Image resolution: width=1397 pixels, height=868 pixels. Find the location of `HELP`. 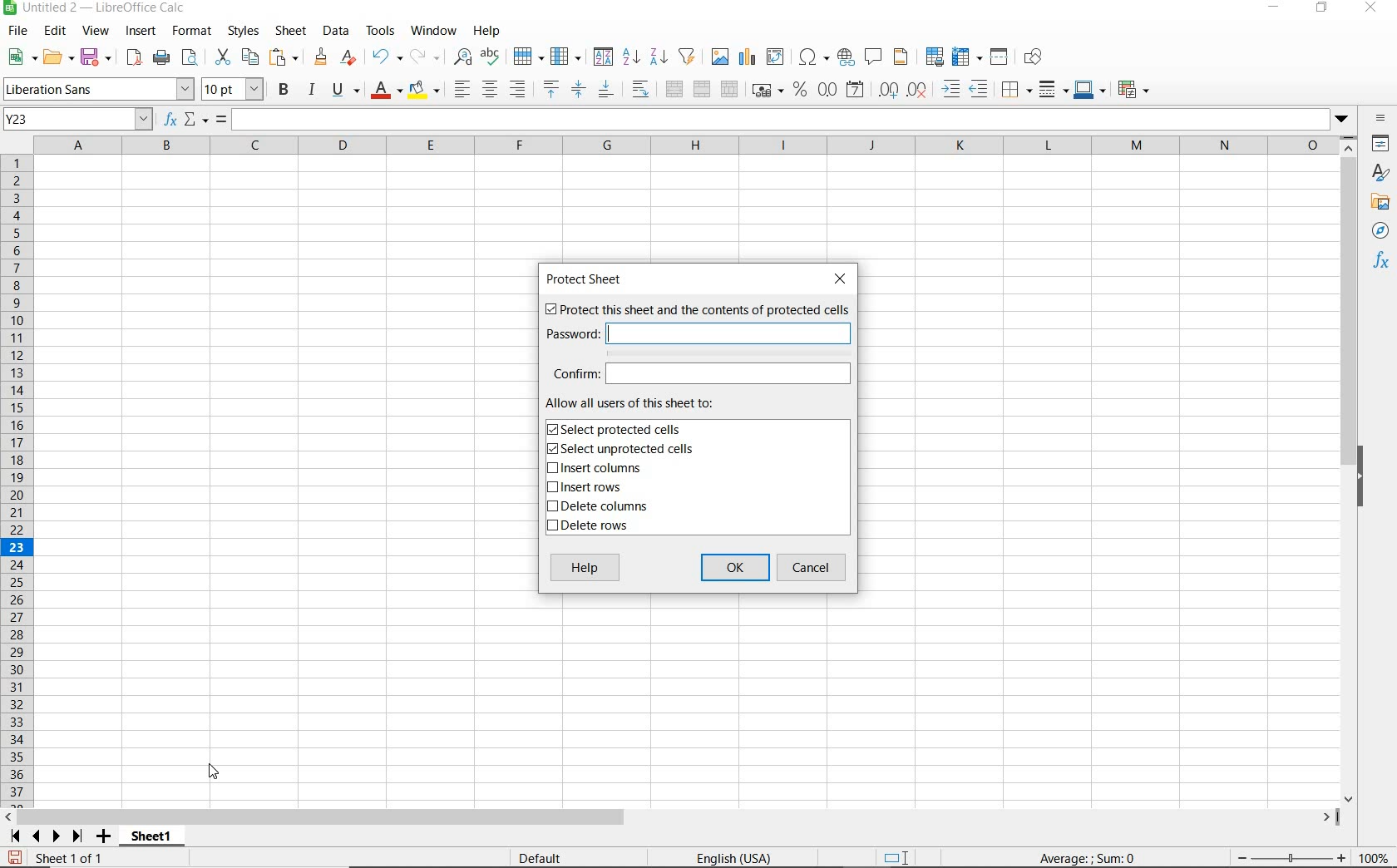

HELP is located at coordinates (490, 31).